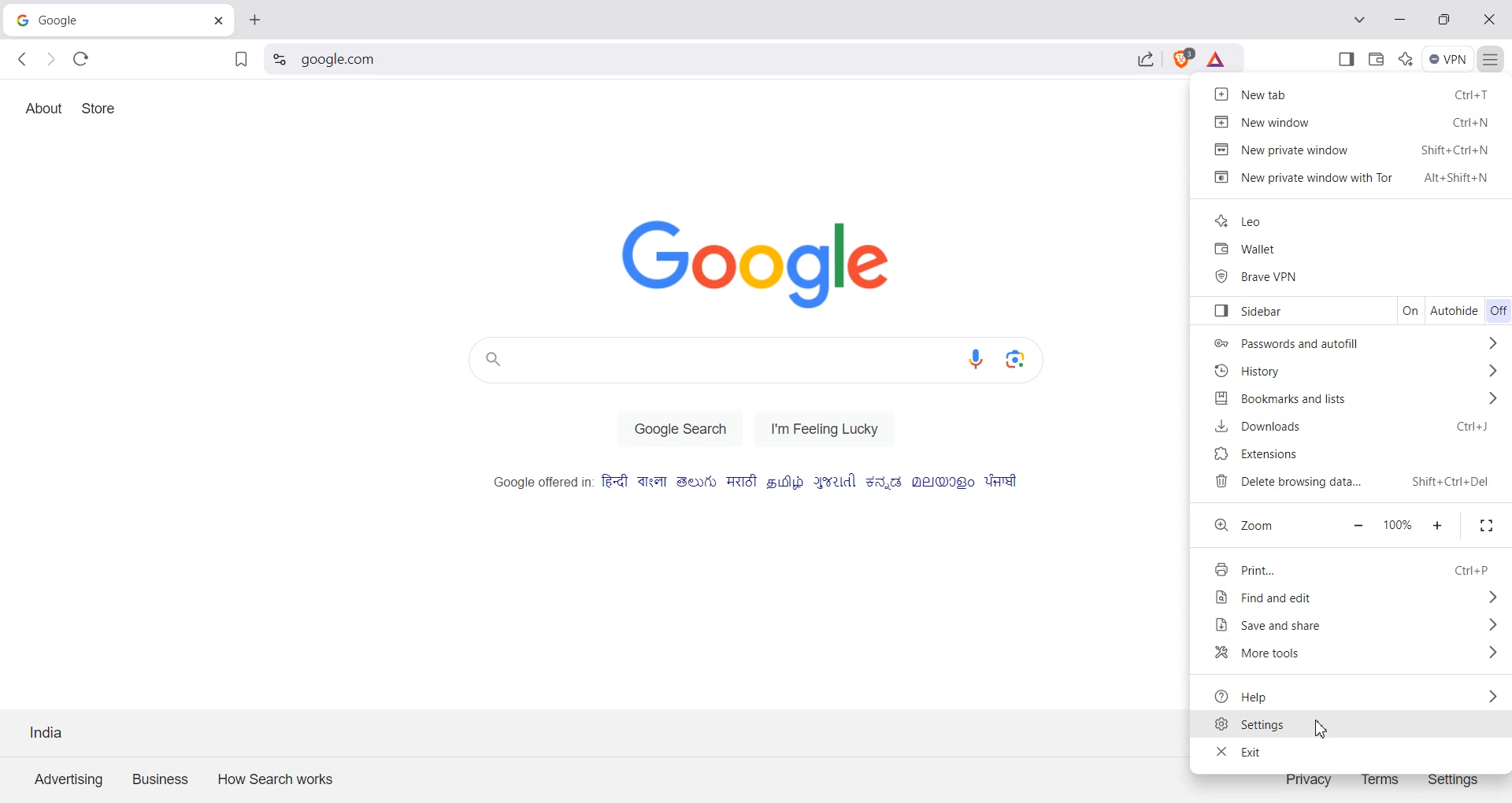 The image size is (1512, 803). What do you see at coordinates (280, 60) in the screenshot?
I see `Setting` at bounding box center [280, 60].